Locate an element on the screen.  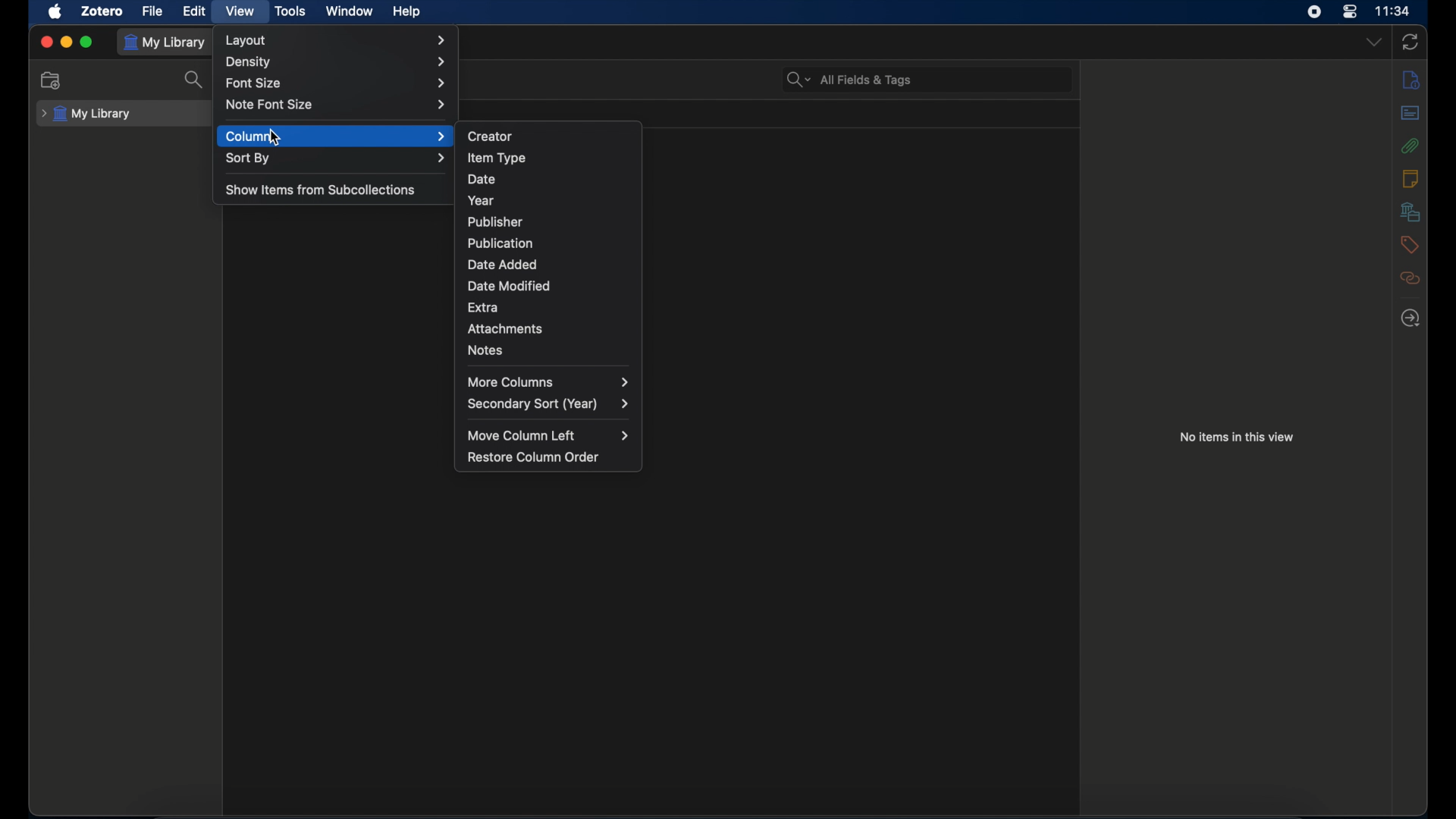
move column left is located at coordinates (547, 435).